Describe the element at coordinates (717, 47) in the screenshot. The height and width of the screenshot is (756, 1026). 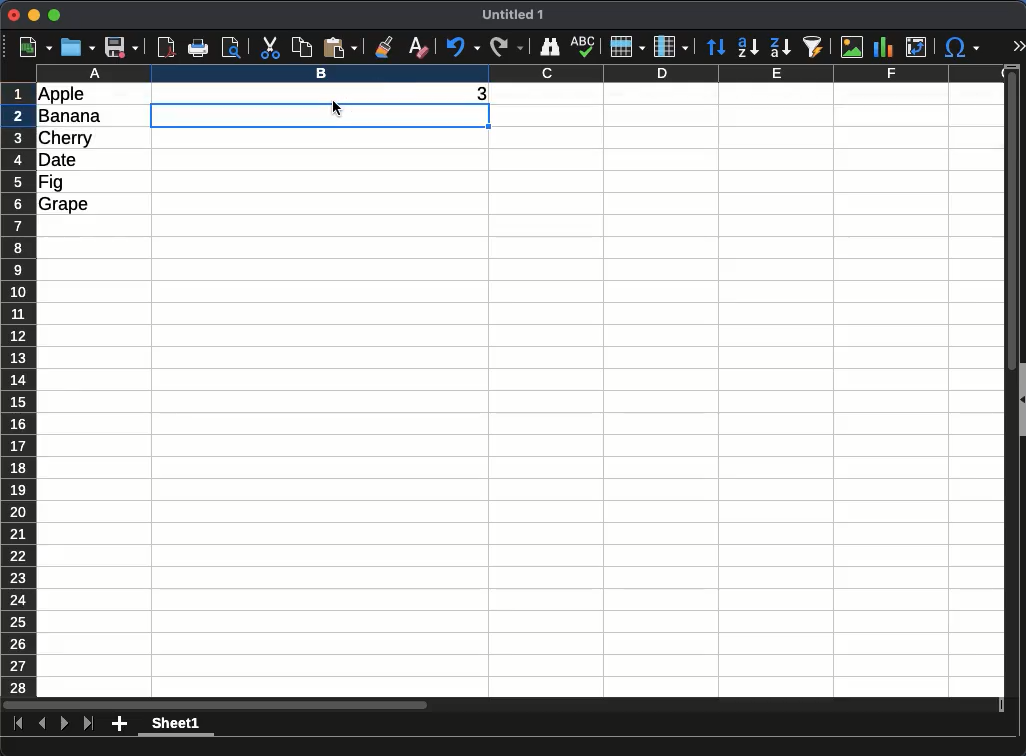
I see `sort` at that location.